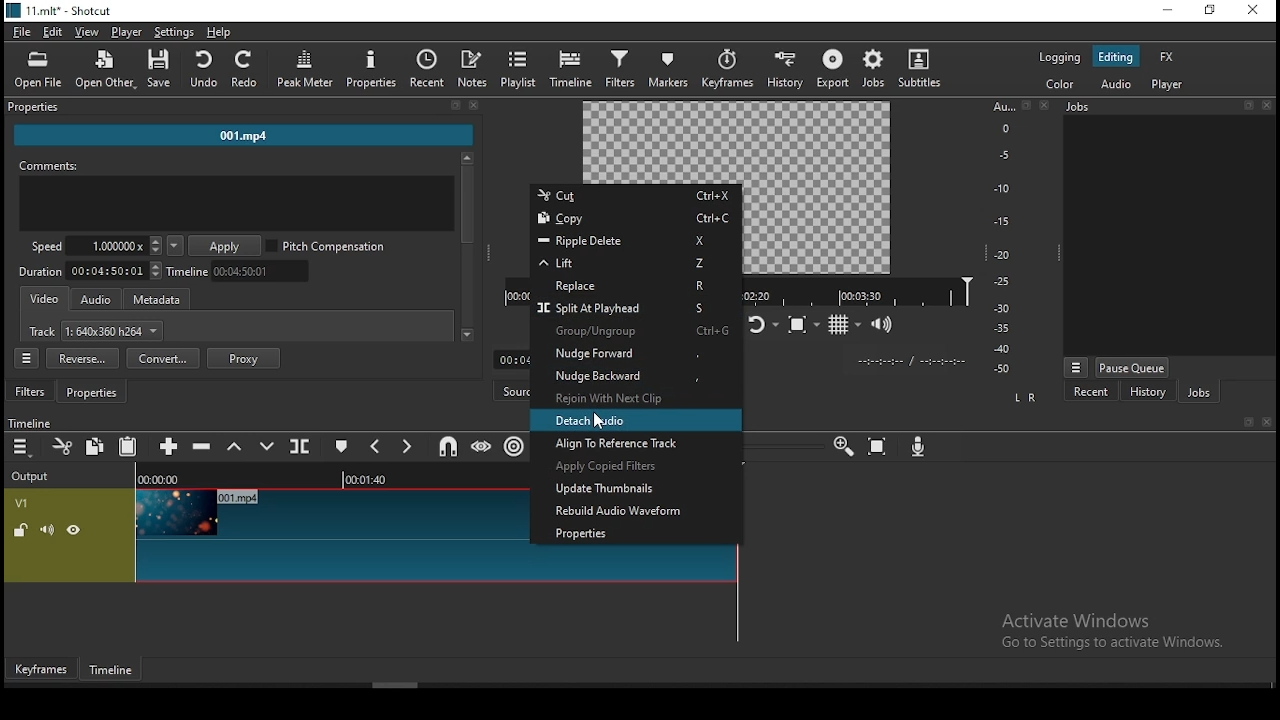  Describe the element at coordinates (1166, 11) in the screenshot. I see `minimize` at that location.